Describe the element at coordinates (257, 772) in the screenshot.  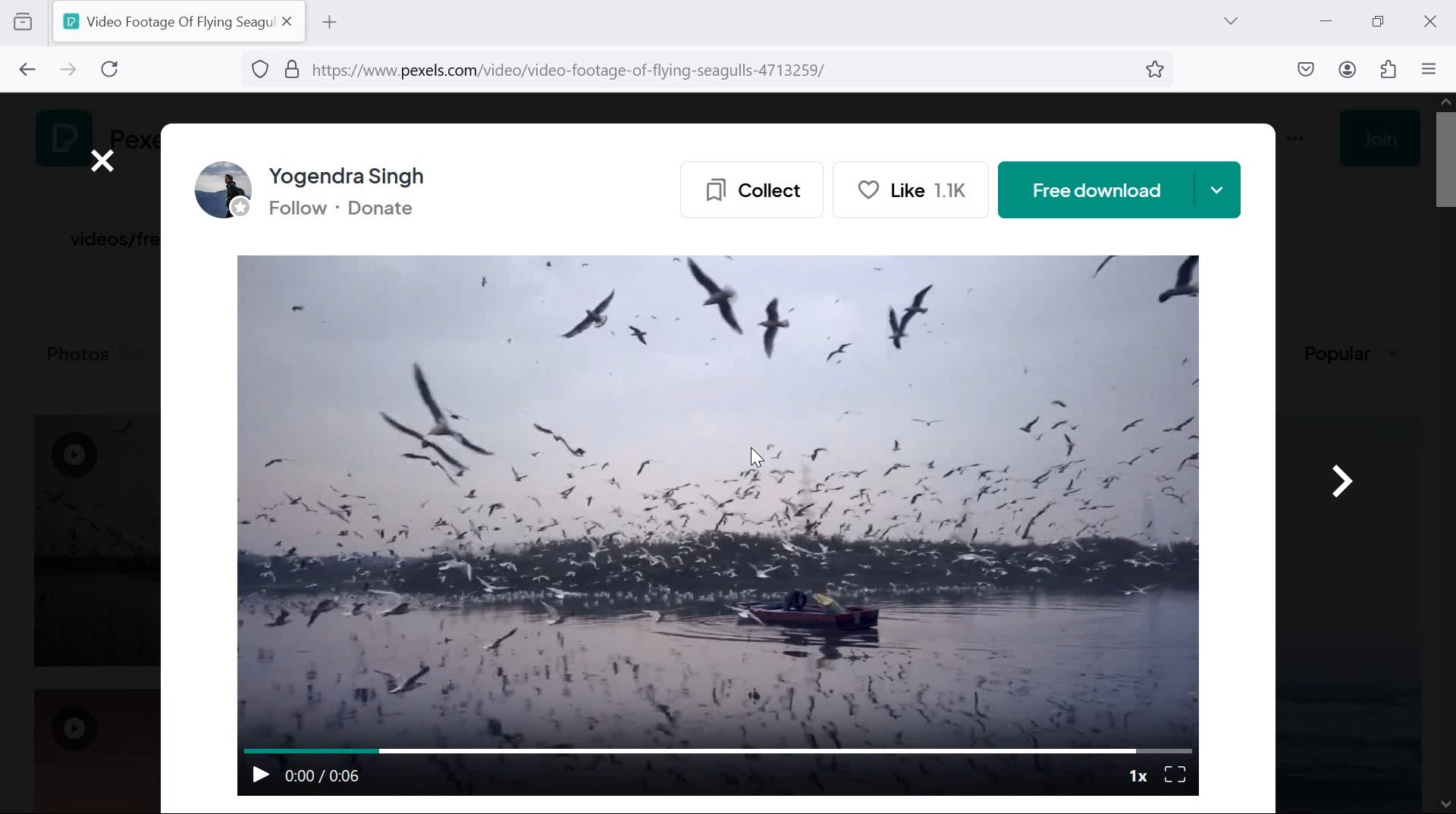
I see `play` at that location.